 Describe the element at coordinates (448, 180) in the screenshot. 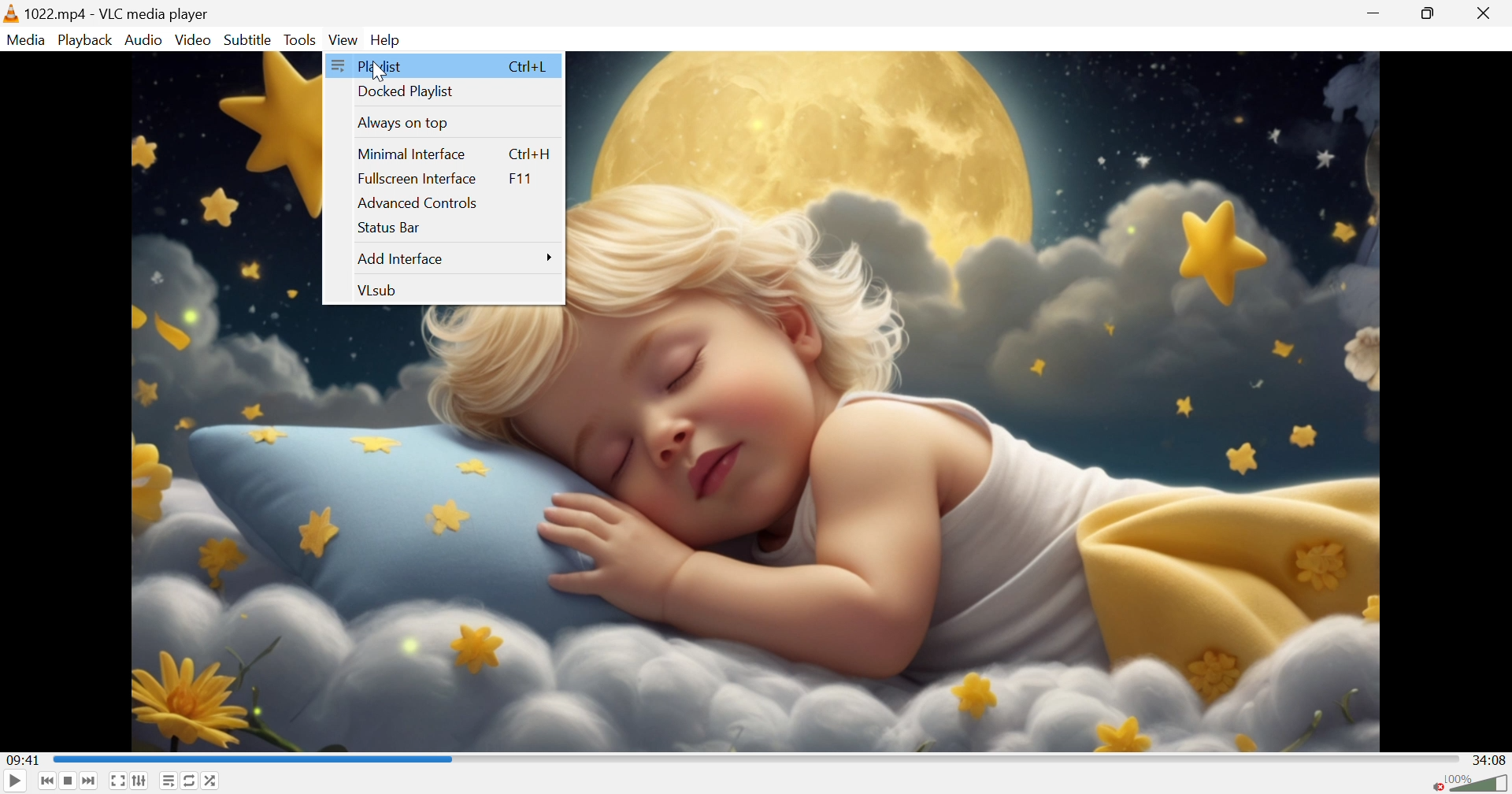

I see `Fullscreen` at that location.